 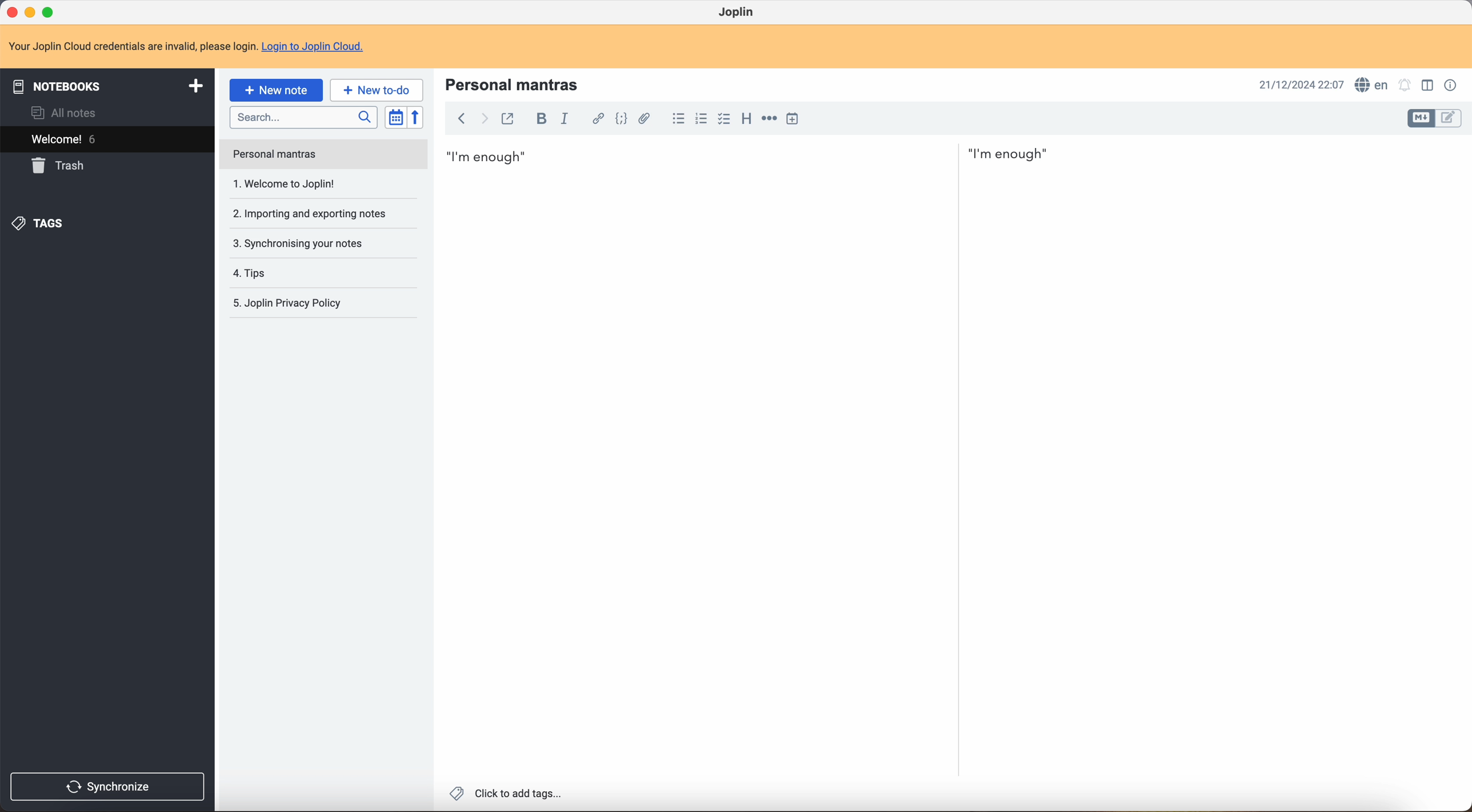 I want to click on heading, so click(x=746, y=121).